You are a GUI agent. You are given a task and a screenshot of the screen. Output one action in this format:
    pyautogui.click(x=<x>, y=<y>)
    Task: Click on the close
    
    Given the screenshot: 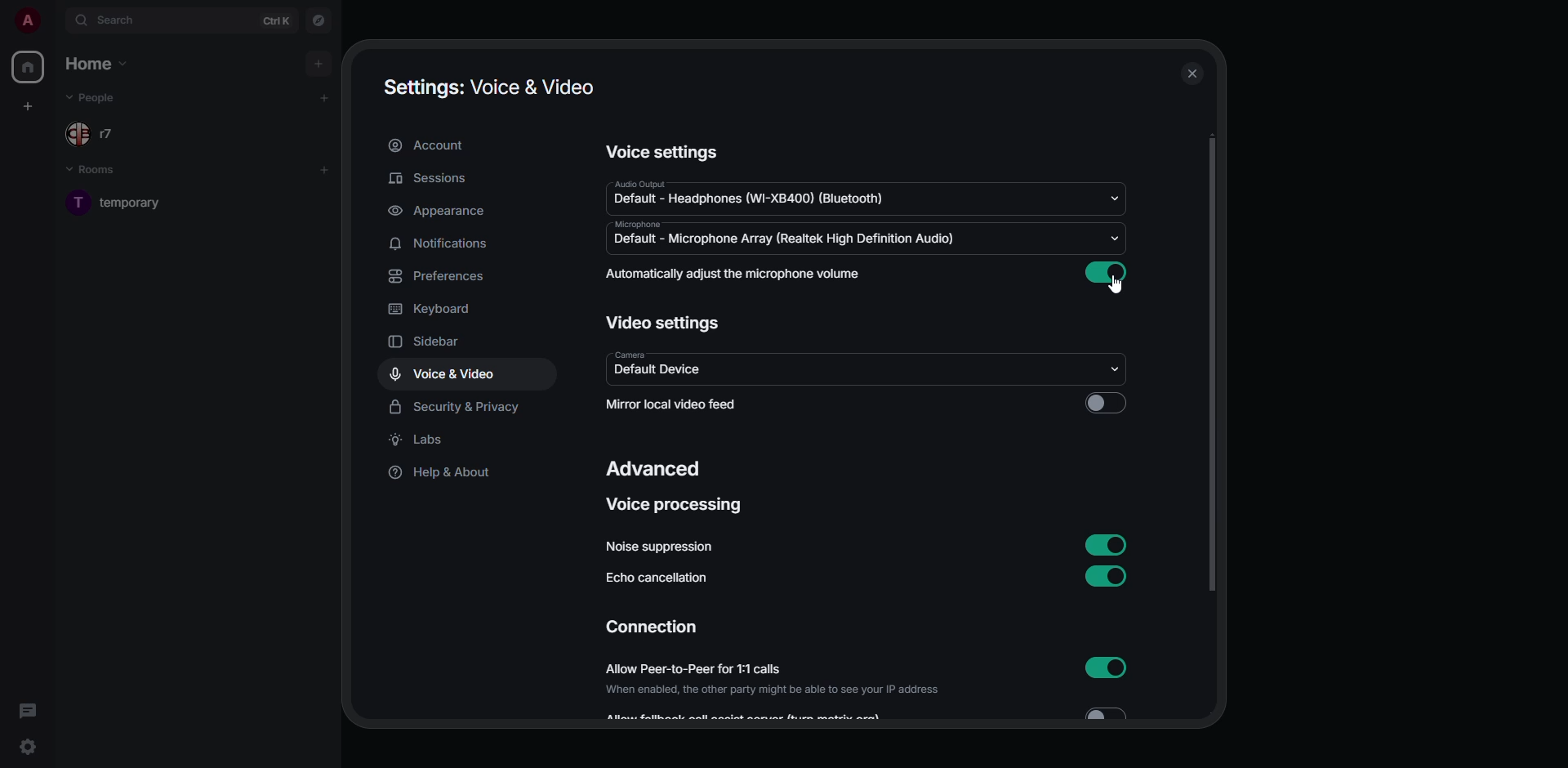 What is the action you would take?
    pyautogui.click(x=1193, y=74)
    